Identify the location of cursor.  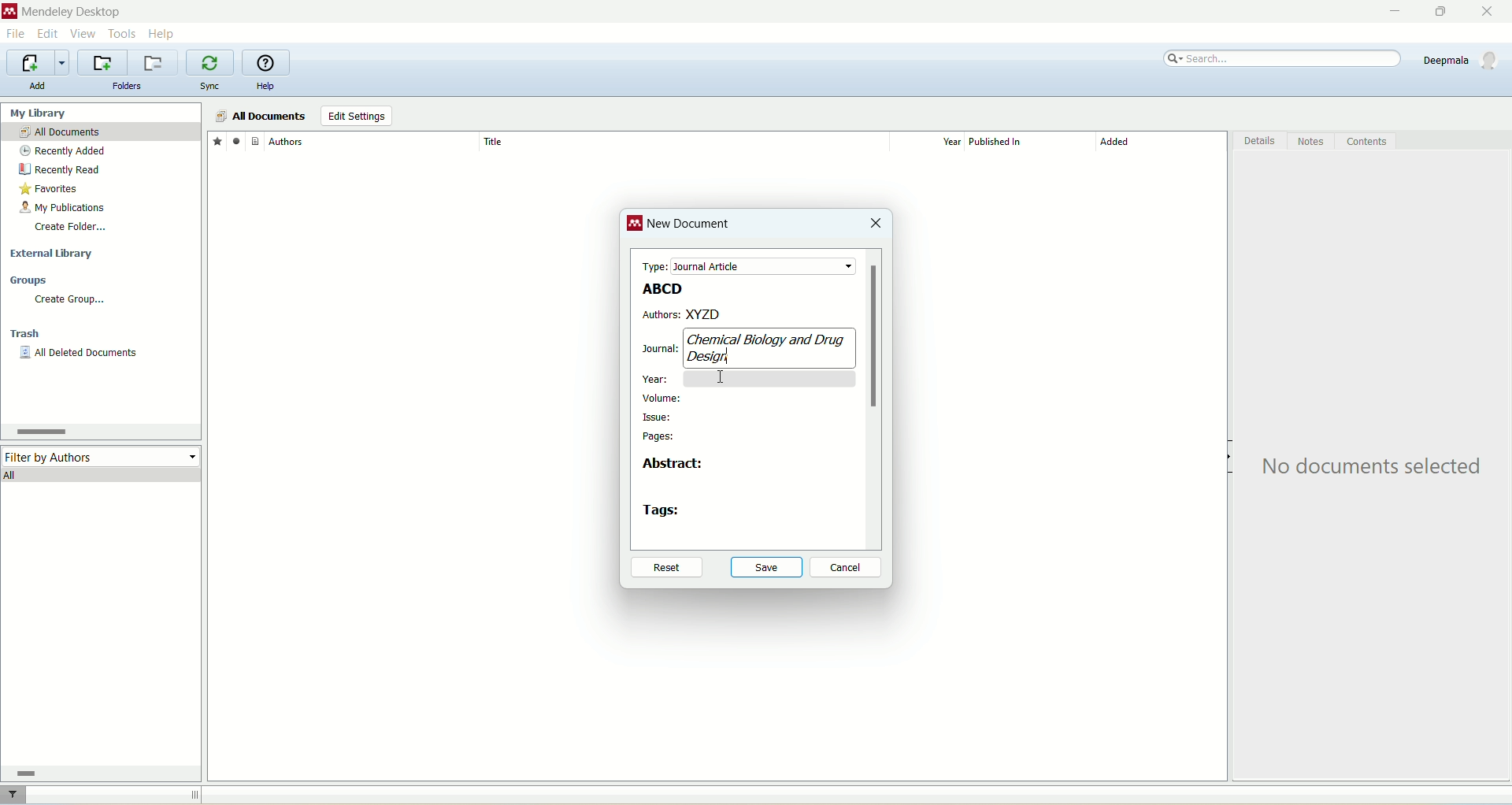
(726, 379).